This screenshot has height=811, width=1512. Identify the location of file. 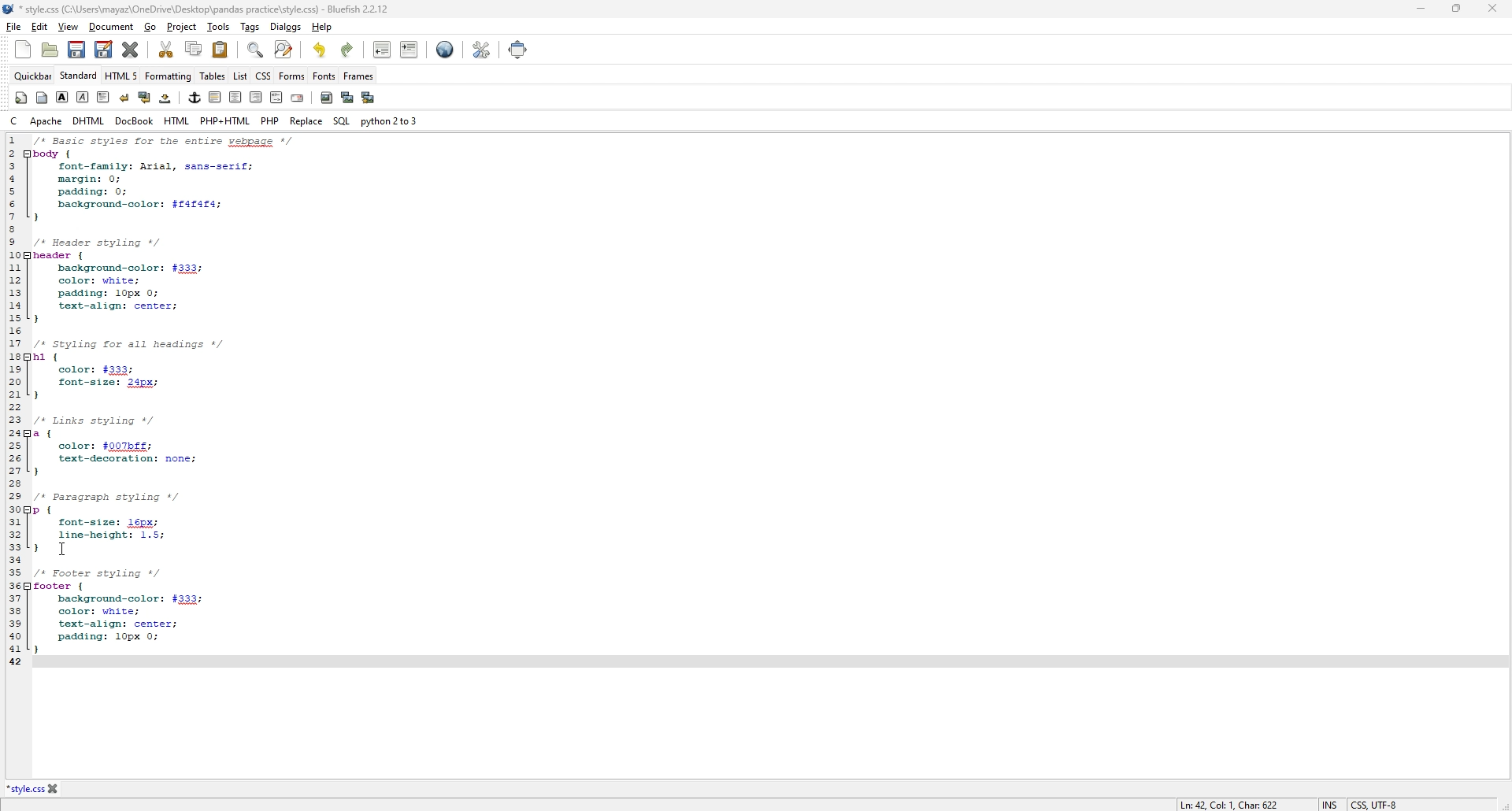
(13, 27).